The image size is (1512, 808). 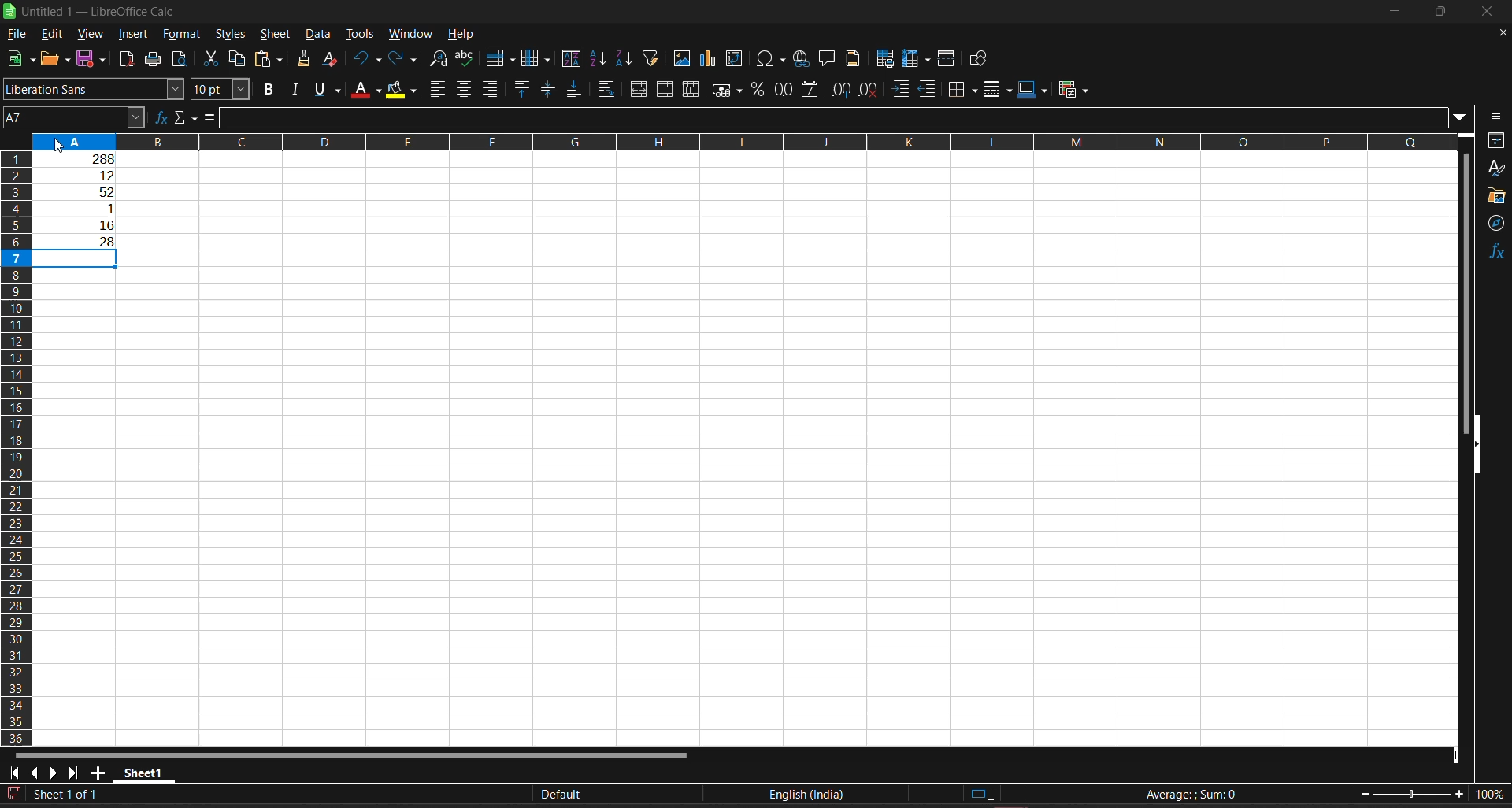 I want to click on freeze rows and columns, so click(x=919, y=59).